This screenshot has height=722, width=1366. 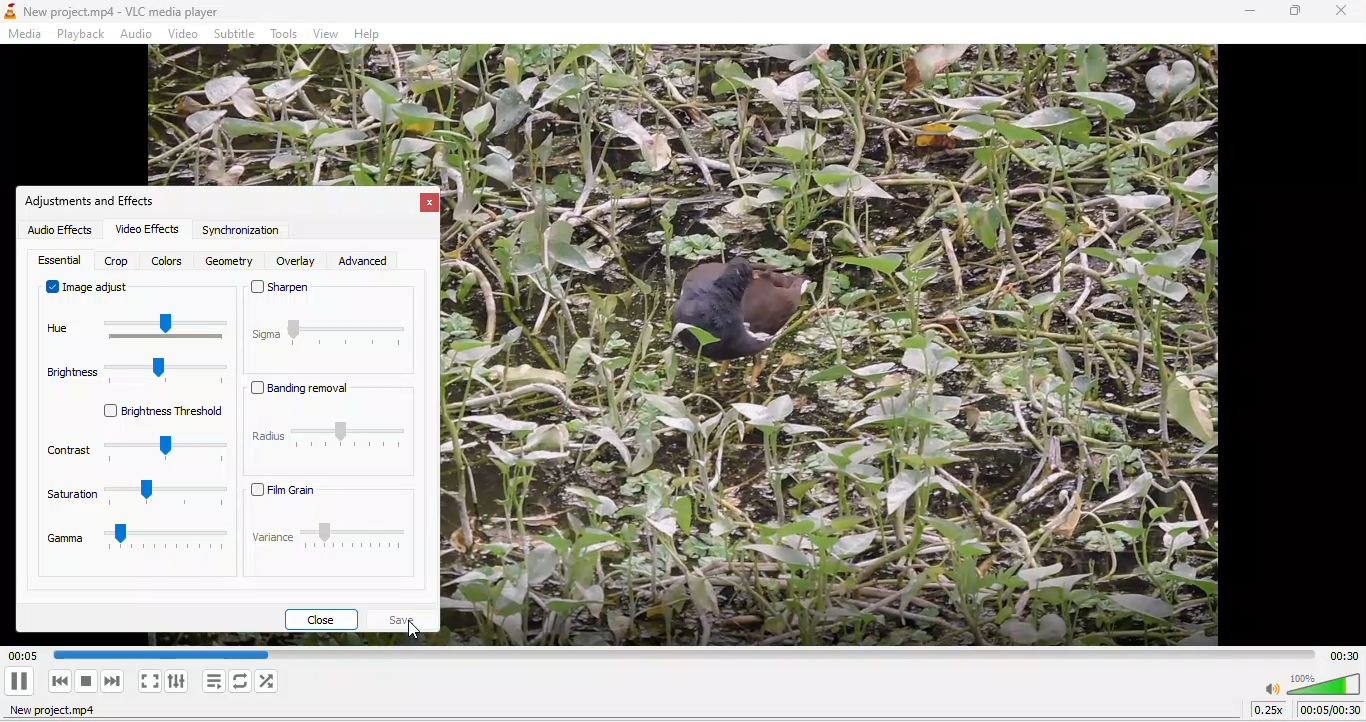 I want to click on close, so click(x=321, y=619).